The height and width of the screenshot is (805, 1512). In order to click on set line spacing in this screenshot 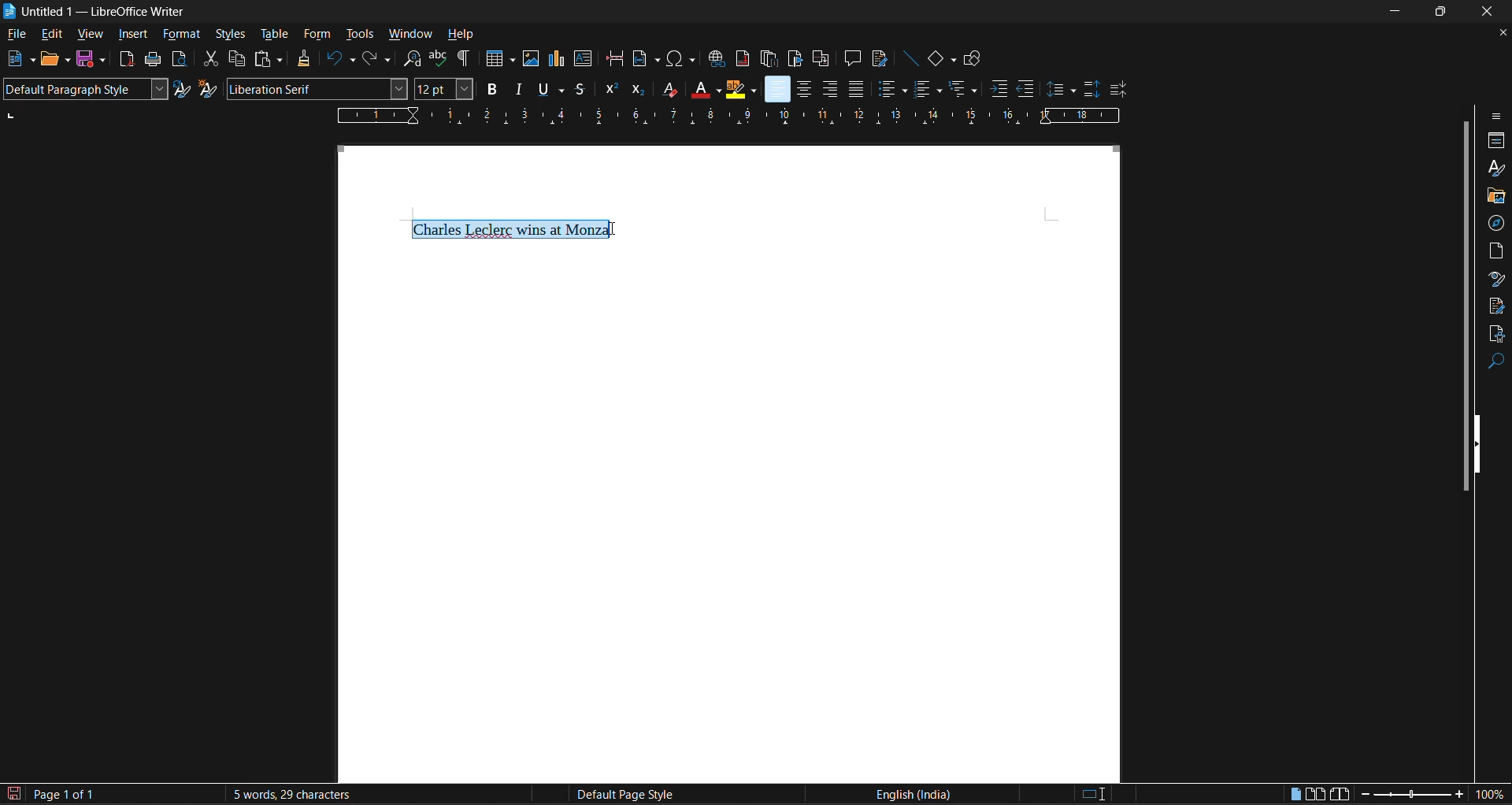, I will do `click(1063, 87)`.